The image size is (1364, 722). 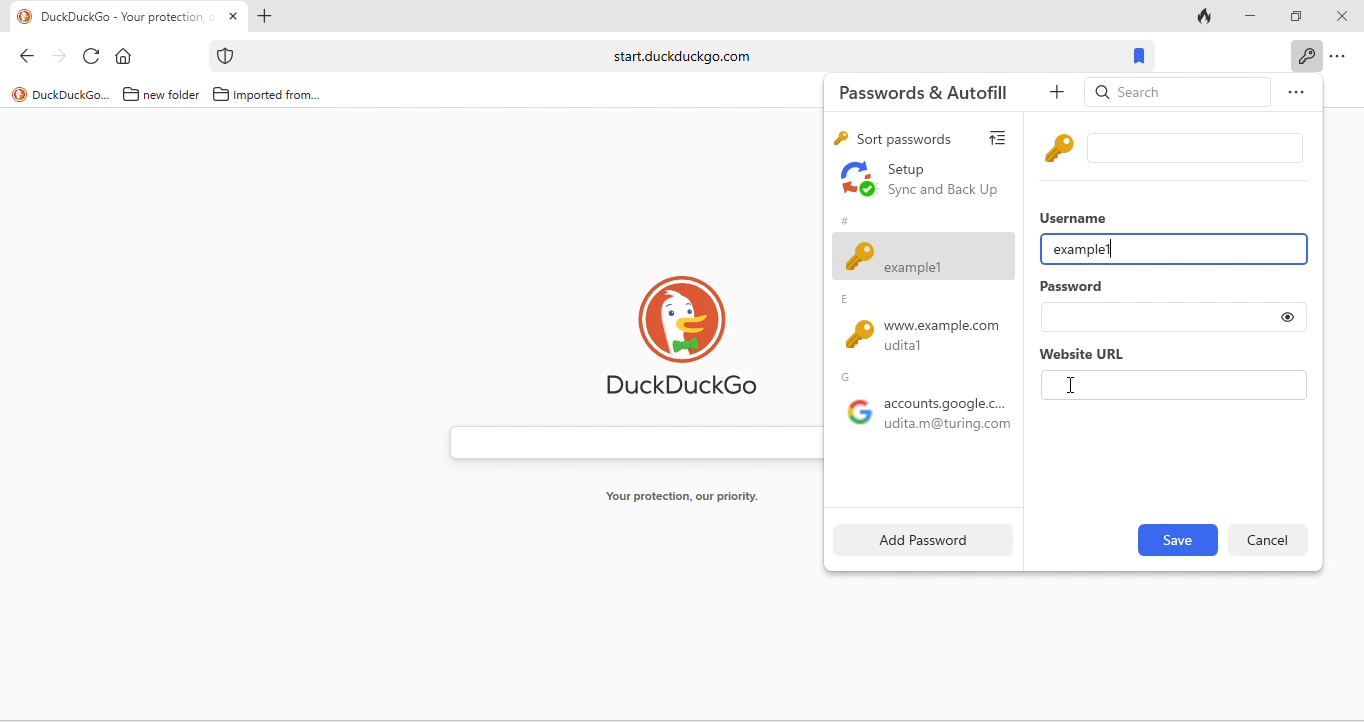 I want to click on key, so click(x=839, y=140).